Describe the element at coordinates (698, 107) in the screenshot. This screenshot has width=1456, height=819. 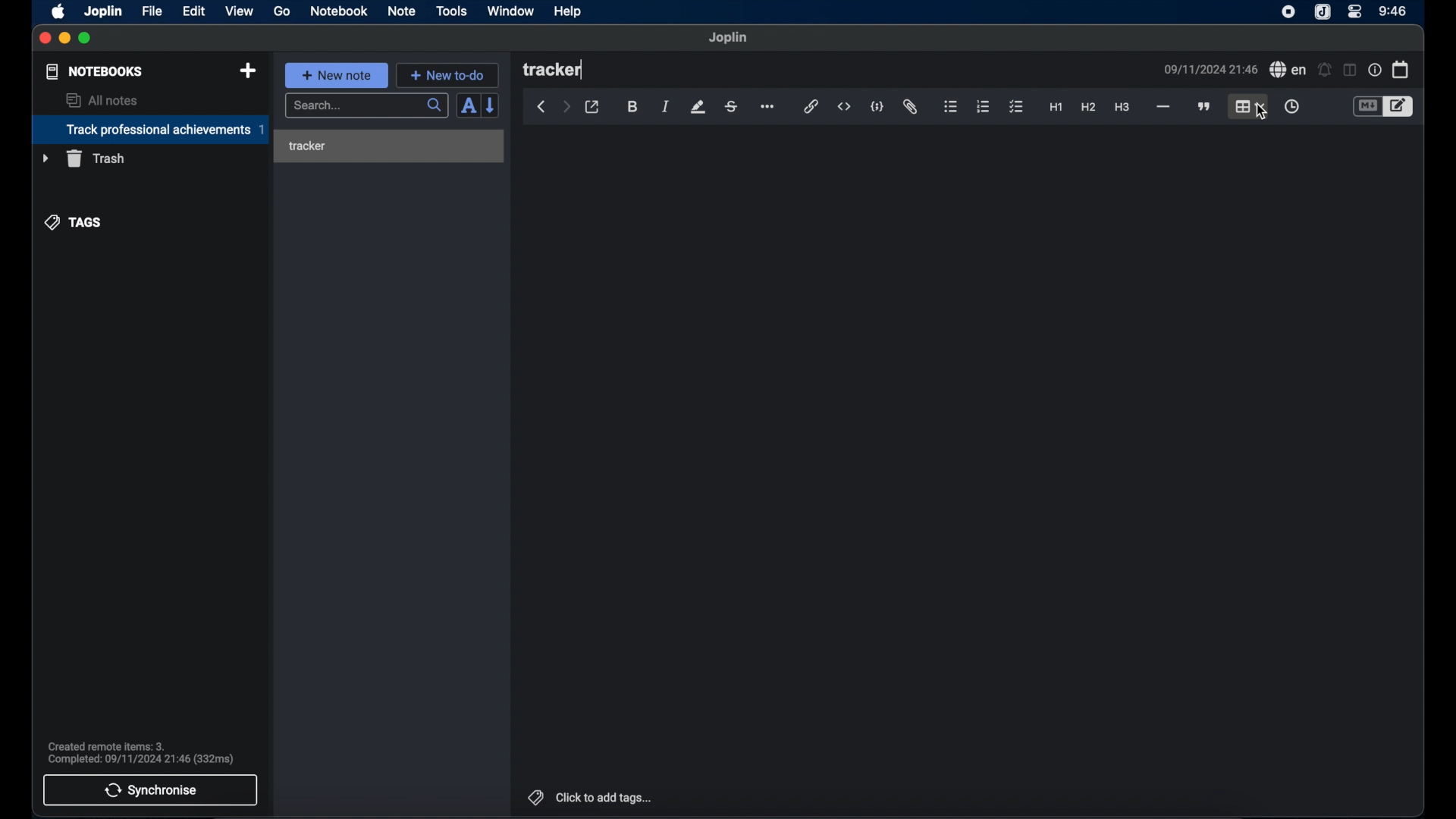
I see `highlight` at that location.